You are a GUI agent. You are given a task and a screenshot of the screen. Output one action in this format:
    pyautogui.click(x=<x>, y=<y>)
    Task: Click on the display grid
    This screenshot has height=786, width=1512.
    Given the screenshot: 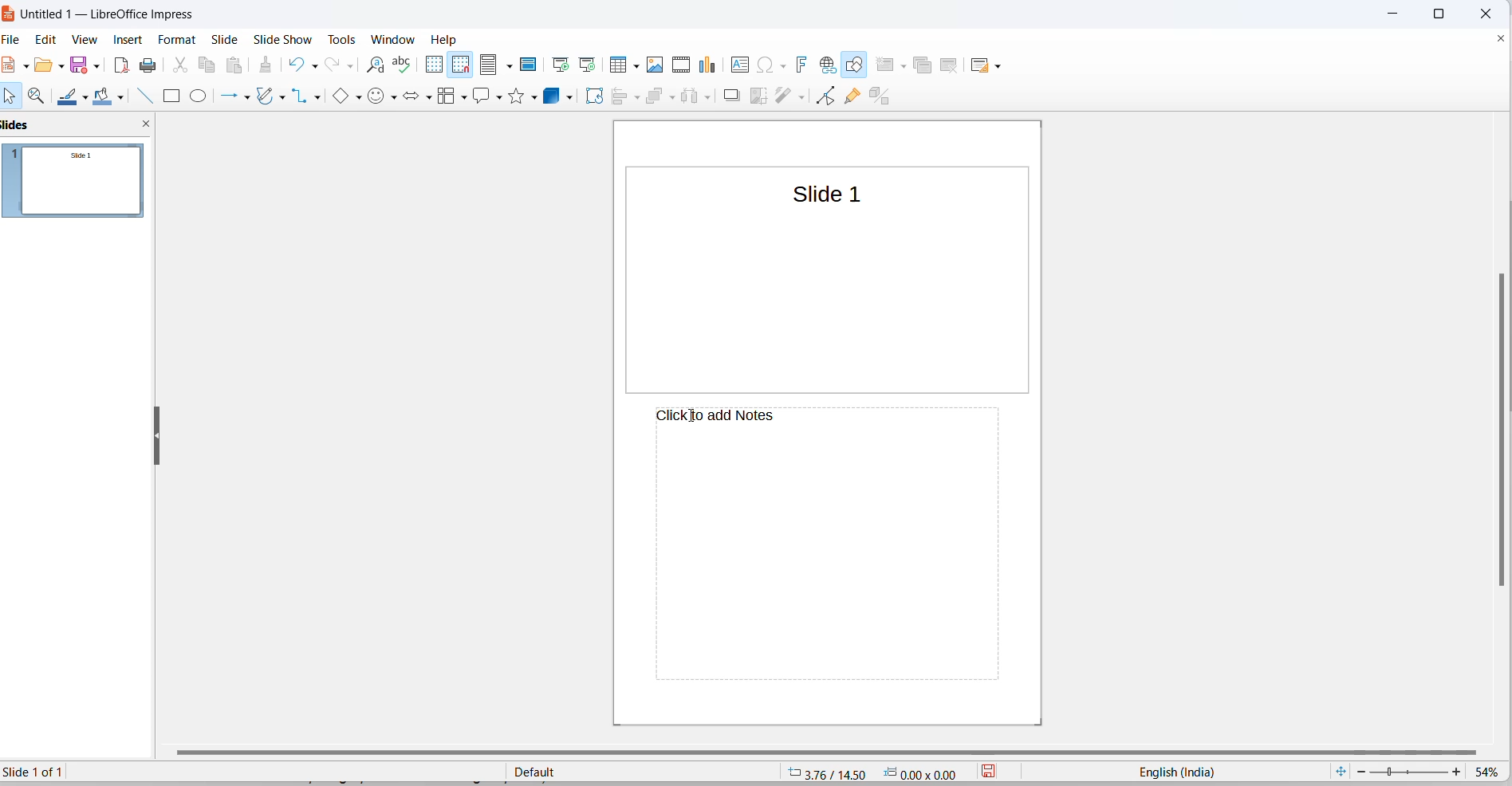 What is the action you would take?
    pyautogui.click(x=435, y=64)
    